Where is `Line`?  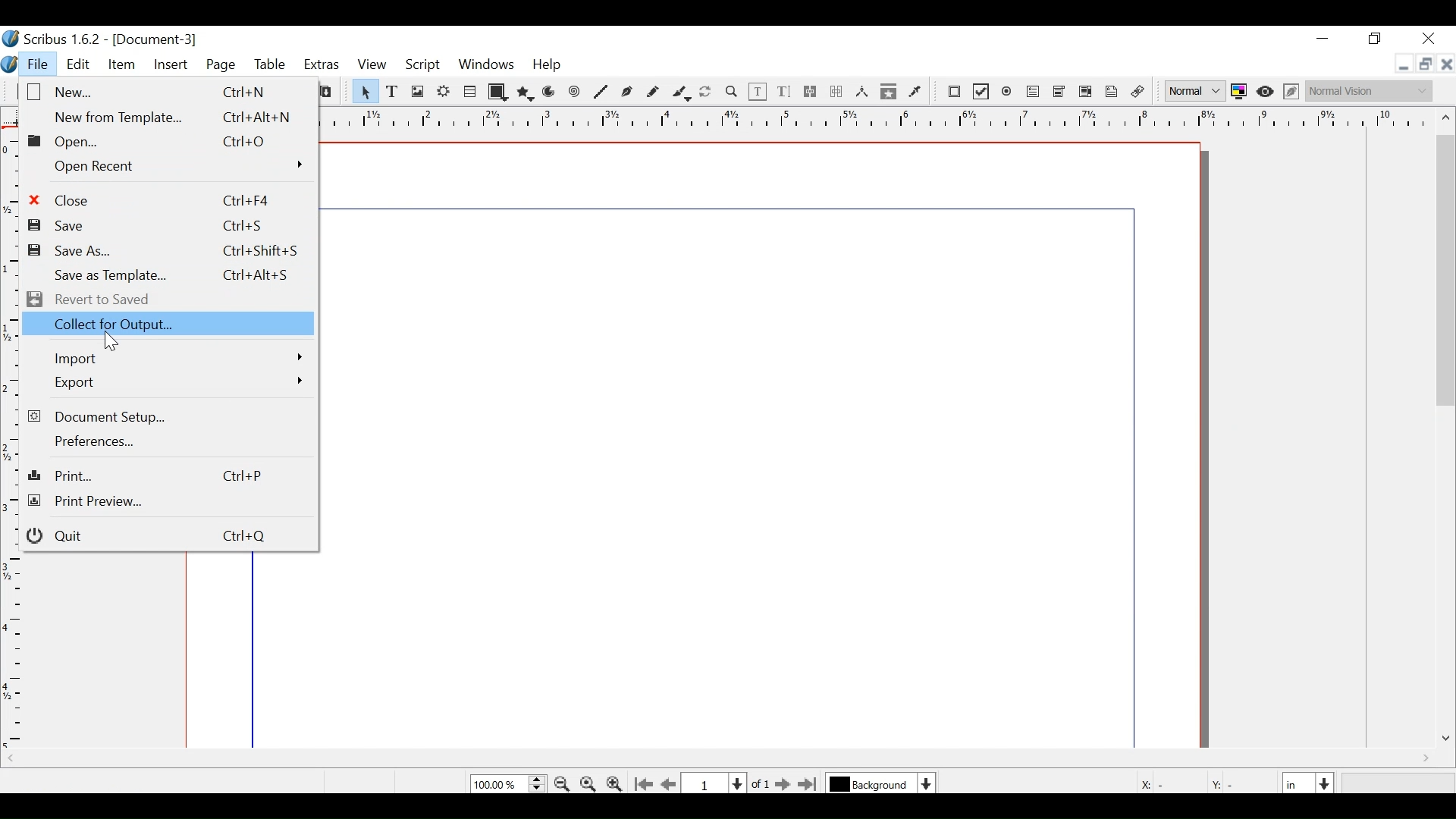 Line is located at coordinates (602, 93).